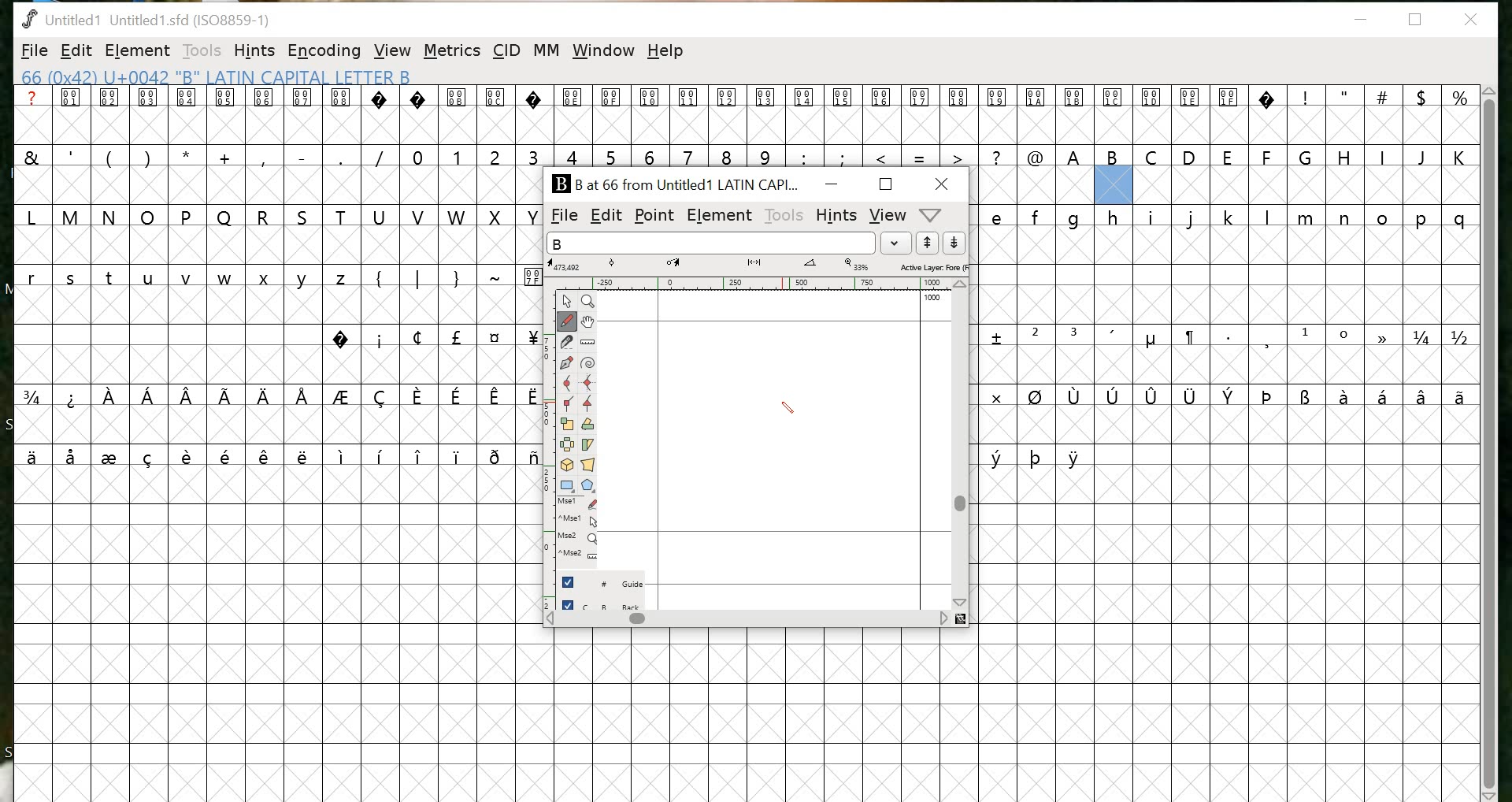  Describe the element at coordinates (710, 243) in the screenshot. I see `input word list field` at that location.